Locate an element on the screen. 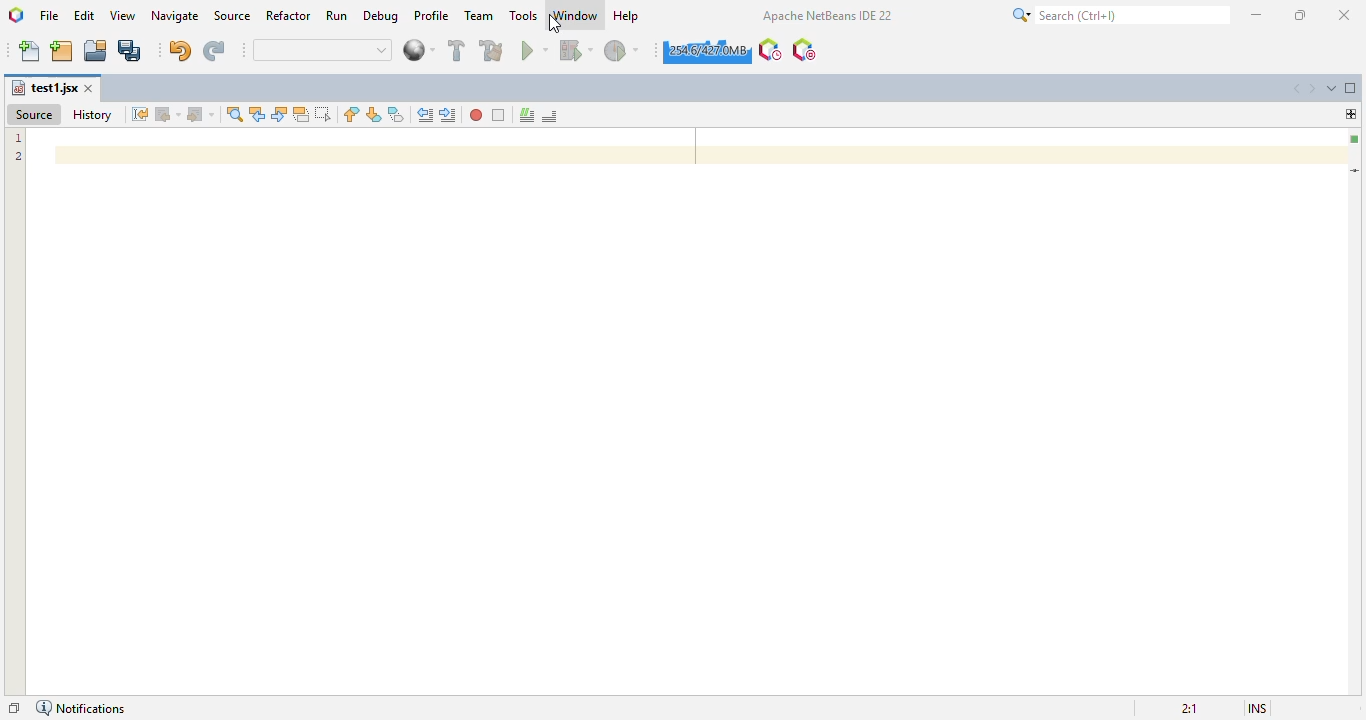 This screenshot has height=720, width=1366. open project is located at coordinates (95, 50).